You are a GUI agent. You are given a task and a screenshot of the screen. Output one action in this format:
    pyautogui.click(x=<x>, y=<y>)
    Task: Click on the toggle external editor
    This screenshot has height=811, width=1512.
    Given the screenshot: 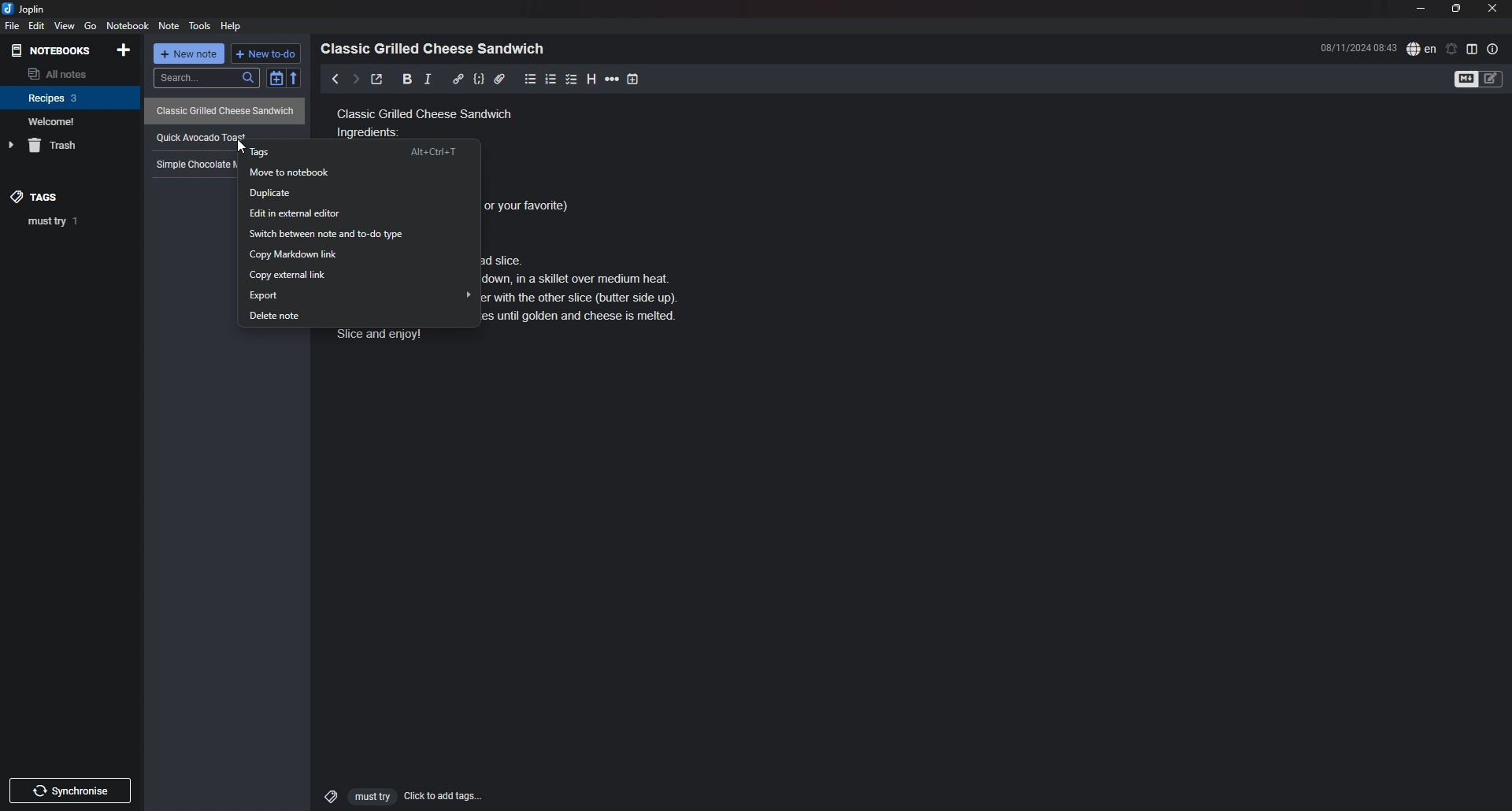 What is the action you would take?
    pyautogui.click(x=376, y=81)
    